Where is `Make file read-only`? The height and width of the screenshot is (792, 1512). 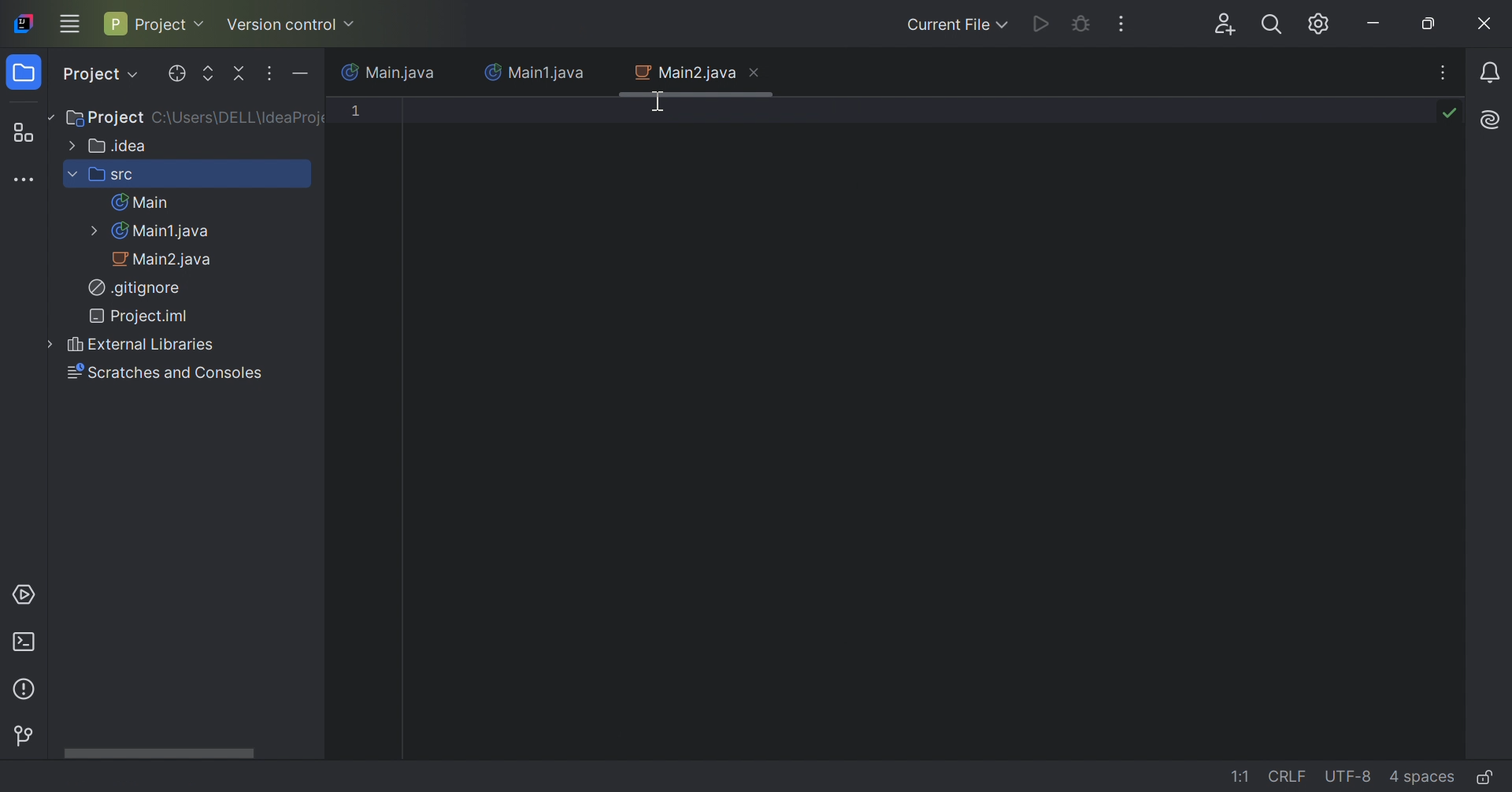 Make file read-only is located at coordinates (1484, 779).